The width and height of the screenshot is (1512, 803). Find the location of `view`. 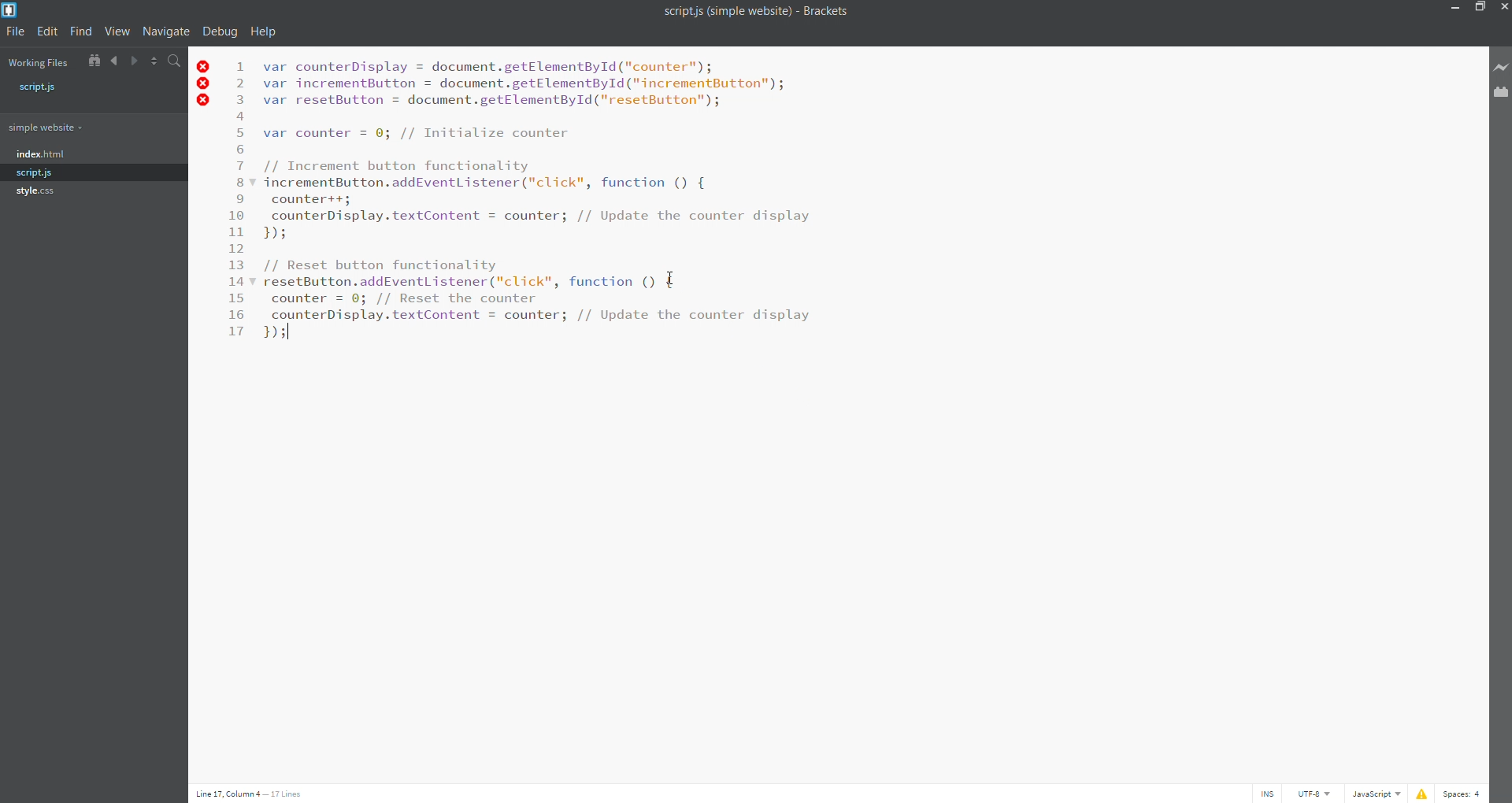

view is located at coordinates (117, 31).